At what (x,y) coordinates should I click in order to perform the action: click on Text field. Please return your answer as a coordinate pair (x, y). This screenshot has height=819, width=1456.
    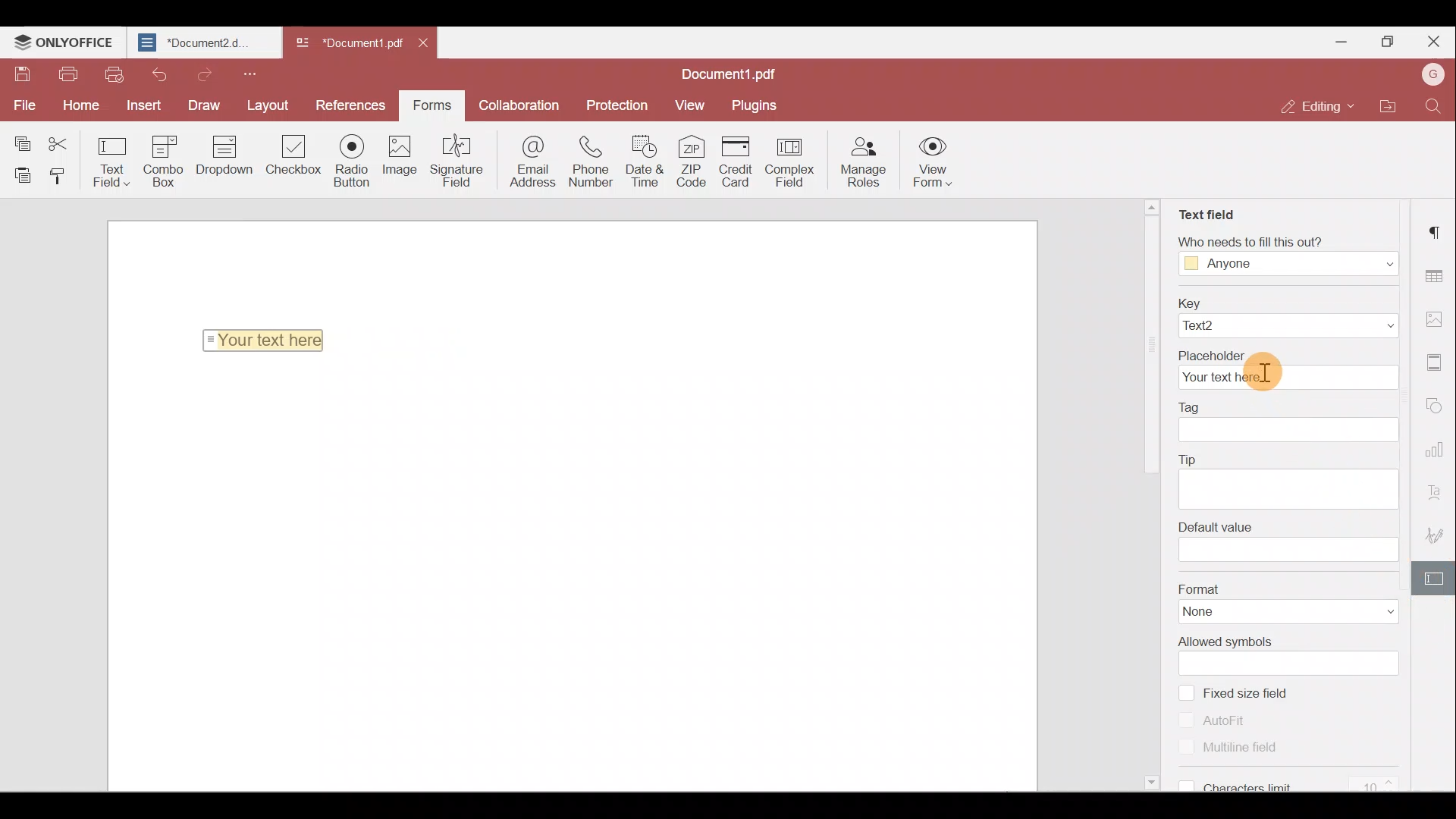
    Looking at the image, I should click on (112, 161).